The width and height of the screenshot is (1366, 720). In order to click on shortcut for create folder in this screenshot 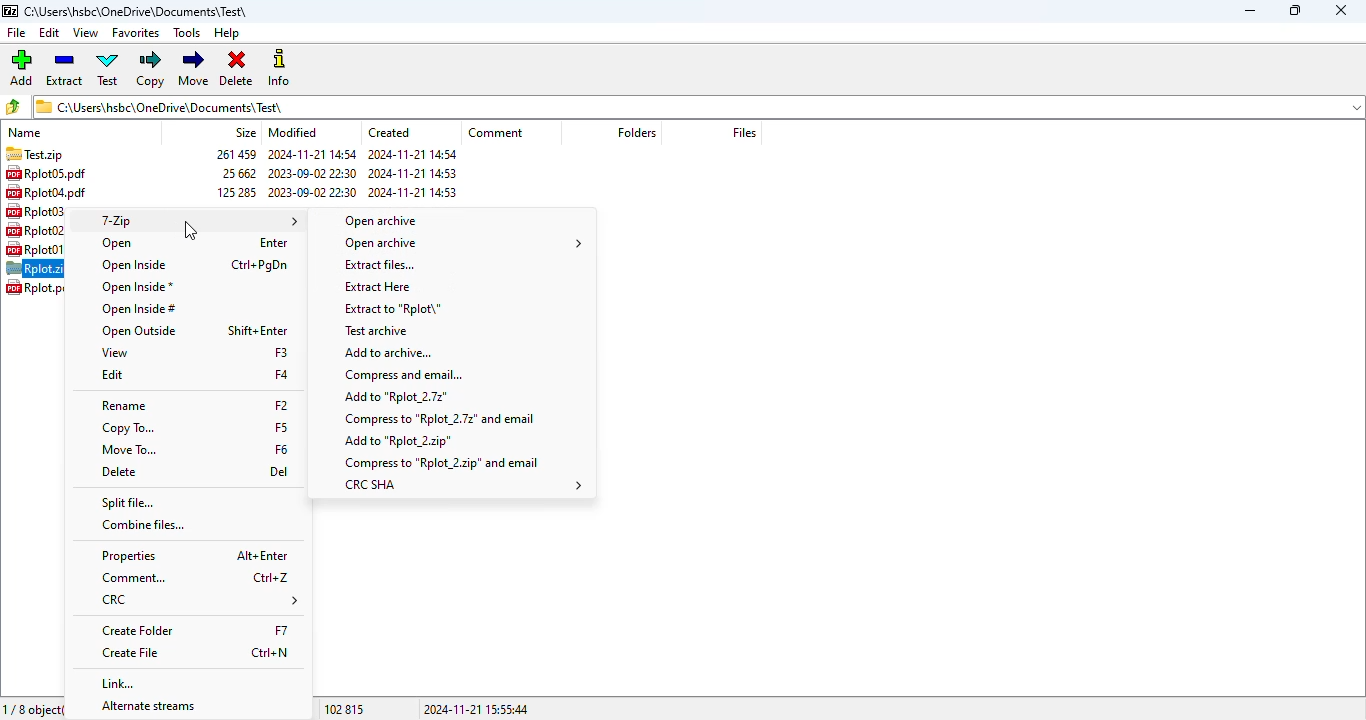, I will do `click(281, 628)`.